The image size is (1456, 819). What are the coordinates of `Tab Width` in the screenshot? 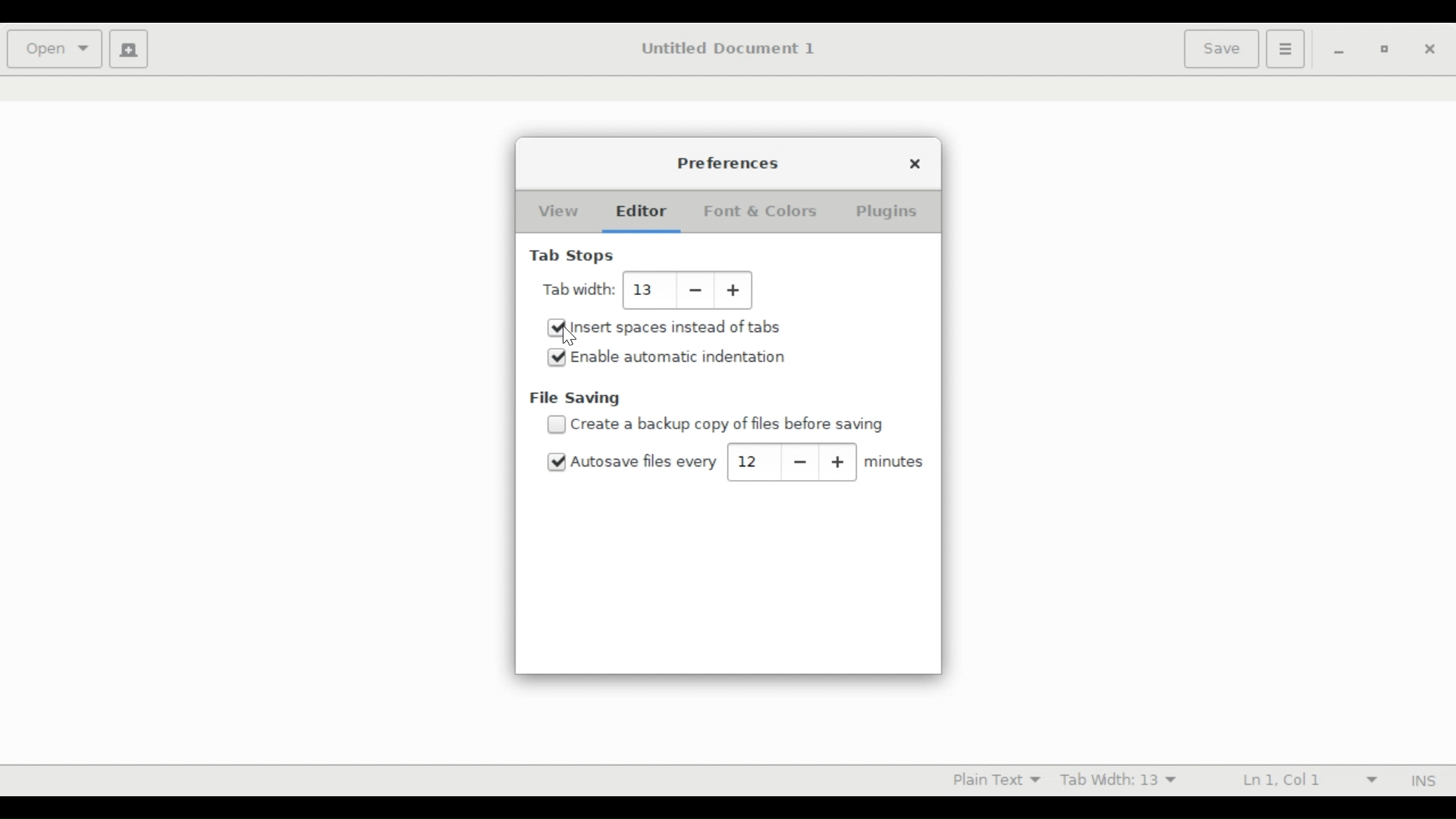 It's located at (579, 289).